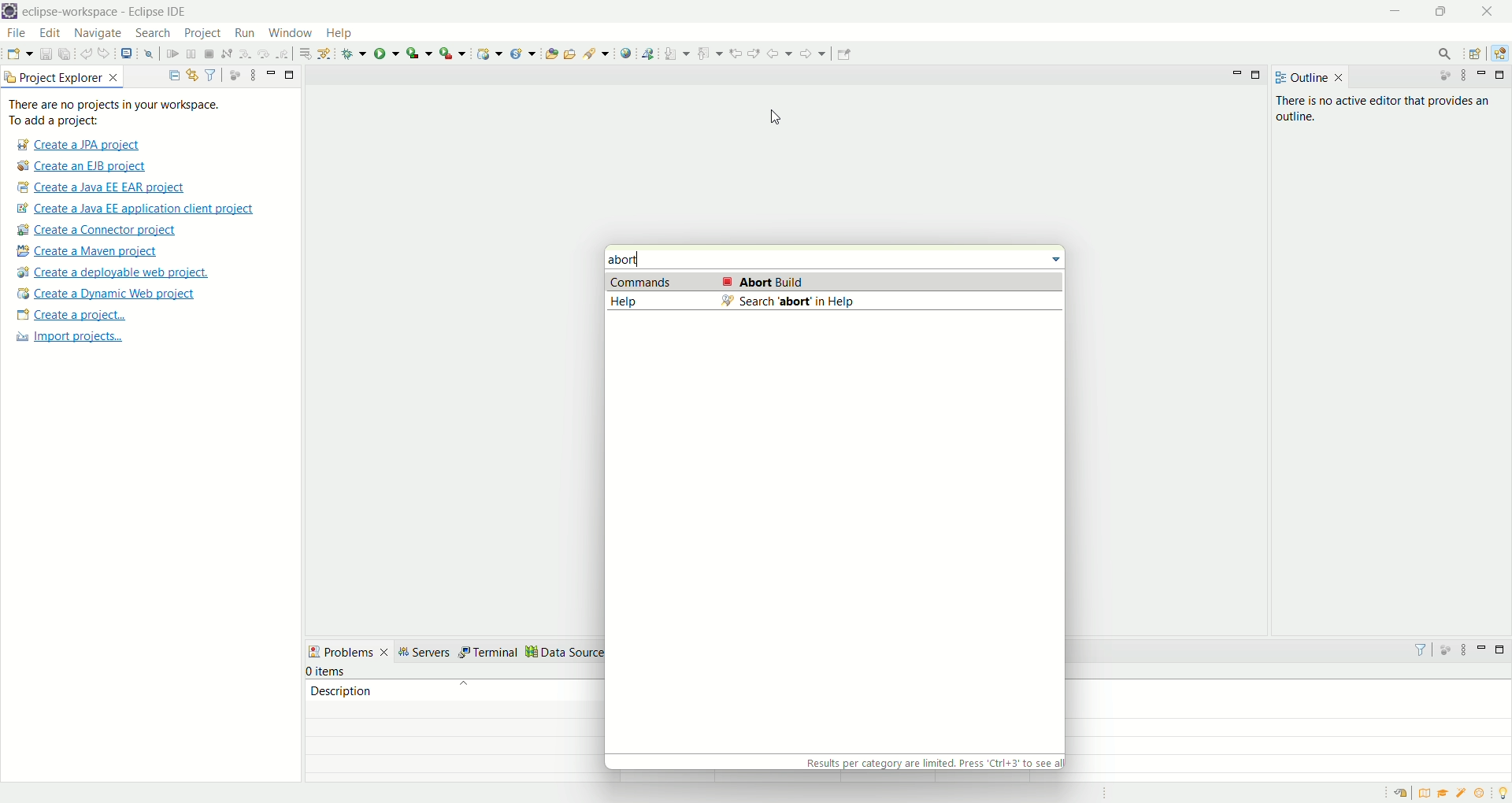  I want to click on next annotation, so click(677, 54).